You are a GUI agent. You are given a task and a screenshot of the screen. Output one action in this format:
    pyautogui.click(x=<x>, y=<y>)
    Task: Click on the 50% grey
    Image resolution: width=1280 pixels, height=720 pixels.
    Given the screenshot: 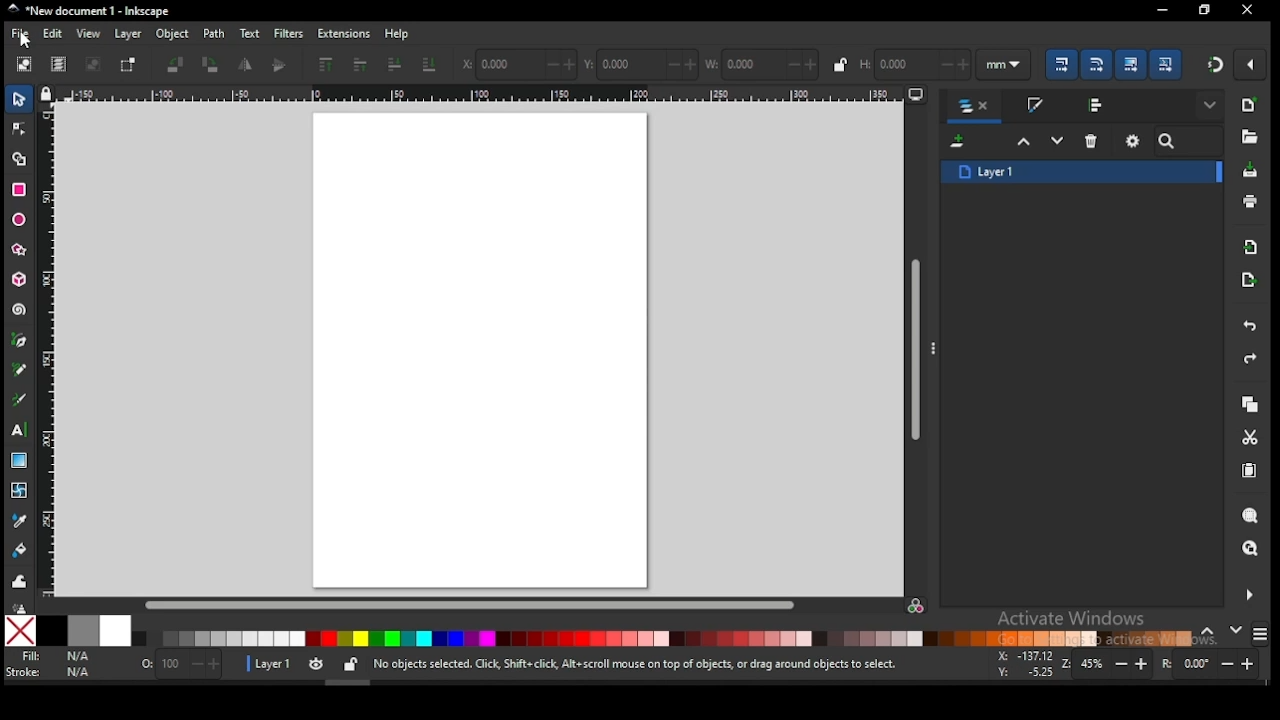 What is the action you would take?
    pyautogui.click(x=83, y=631)
    